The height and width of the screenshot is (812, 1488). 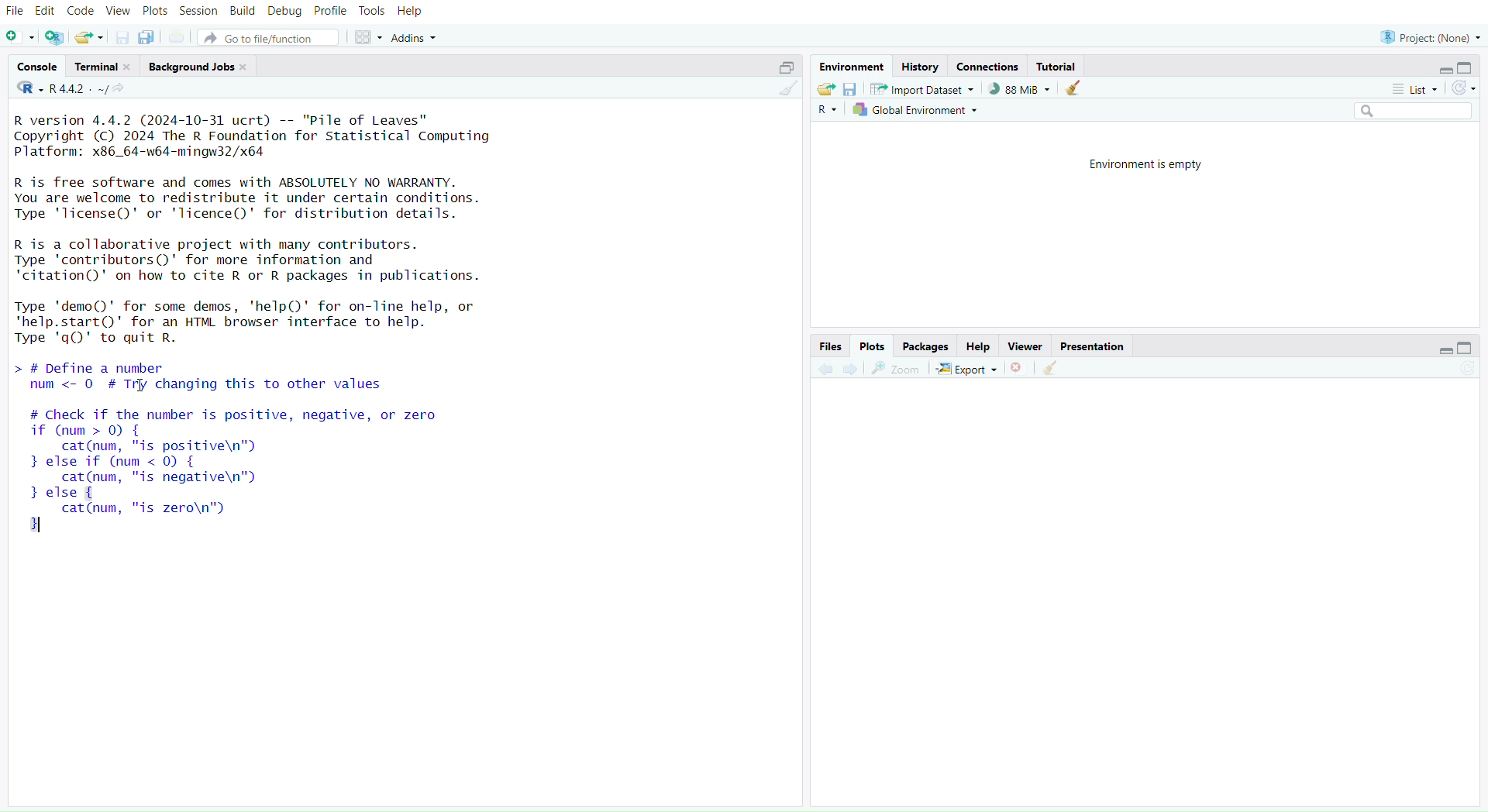 I want to click on files, so click(x=827, y=346).